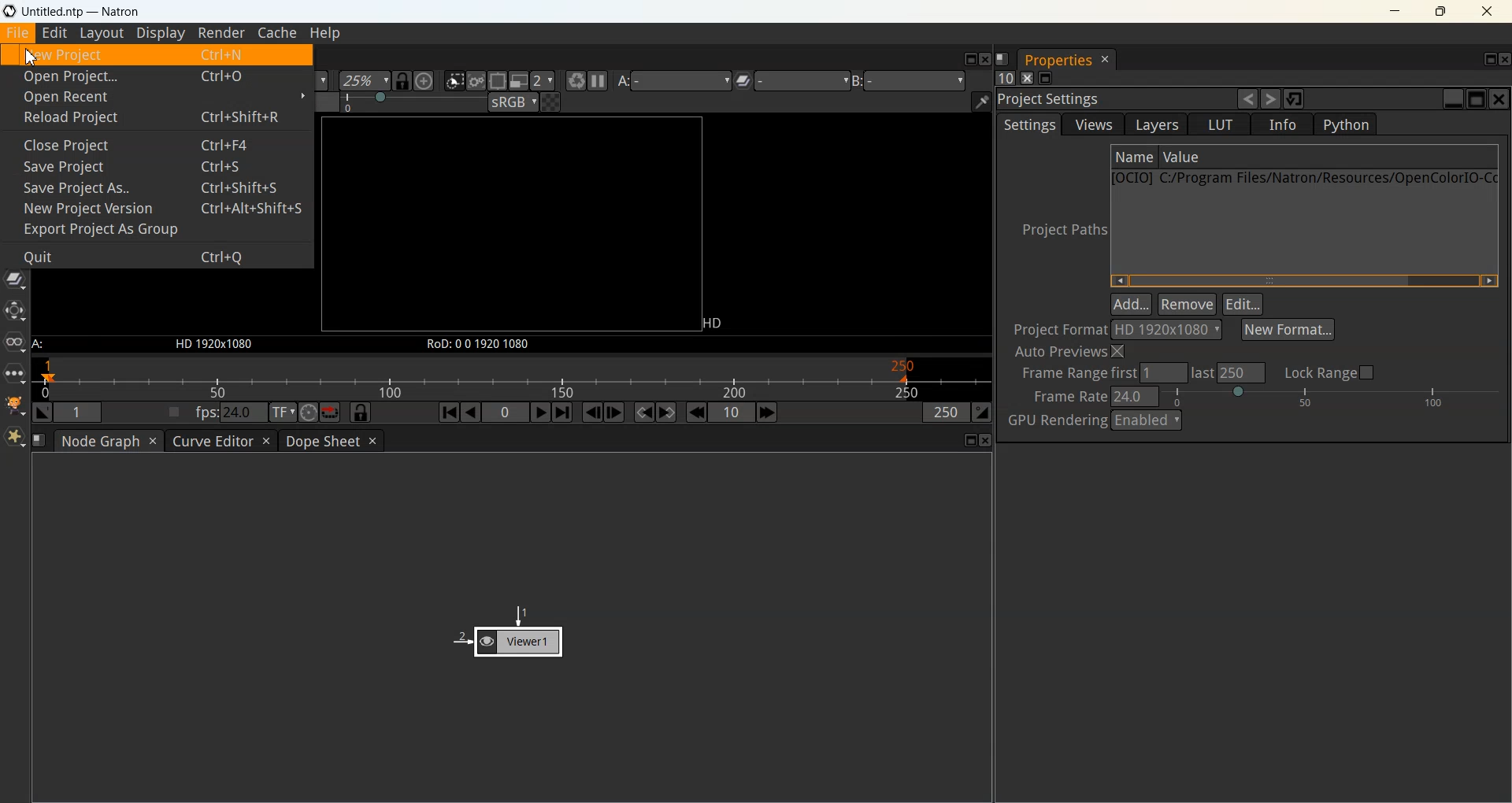 Image resolution: width=1512 pixels, height=803 pixels. I want to click on Path value of file, so click(1263, 157).